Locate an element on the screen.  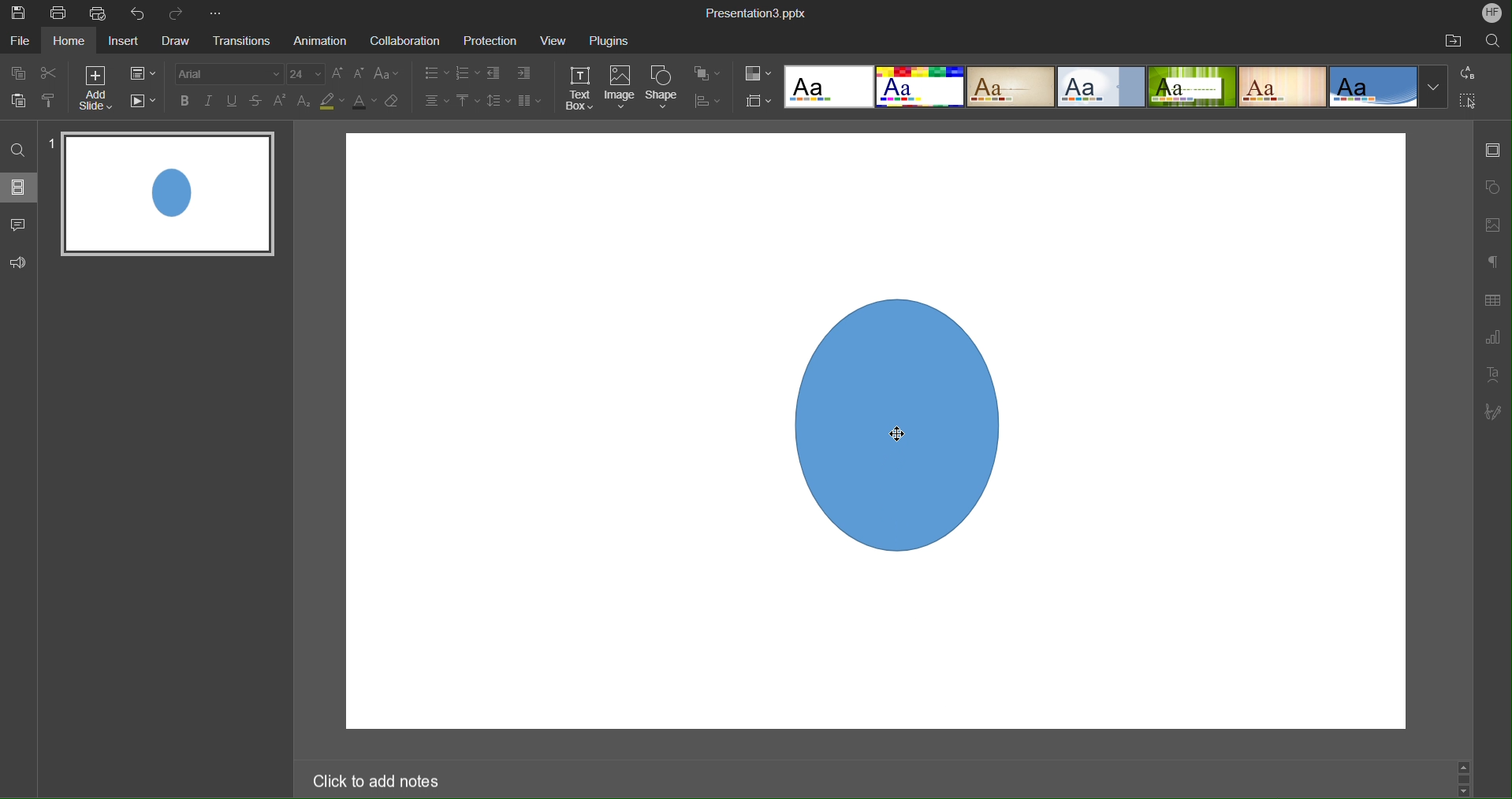
Slide Settings is located at coordinates (1494, 147).